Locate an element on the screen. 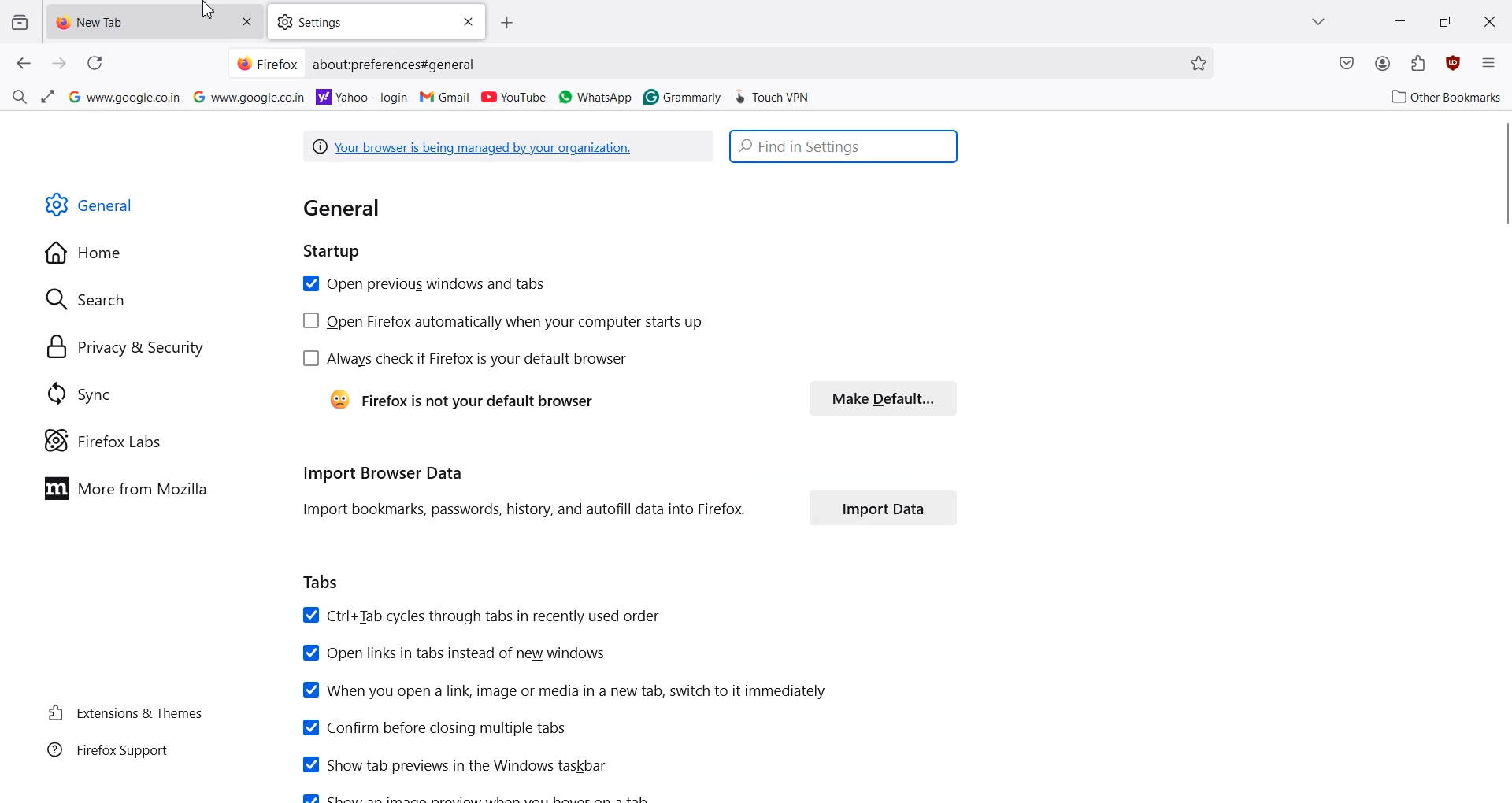  uBlock Origin is located at coordinates (1452, 63).